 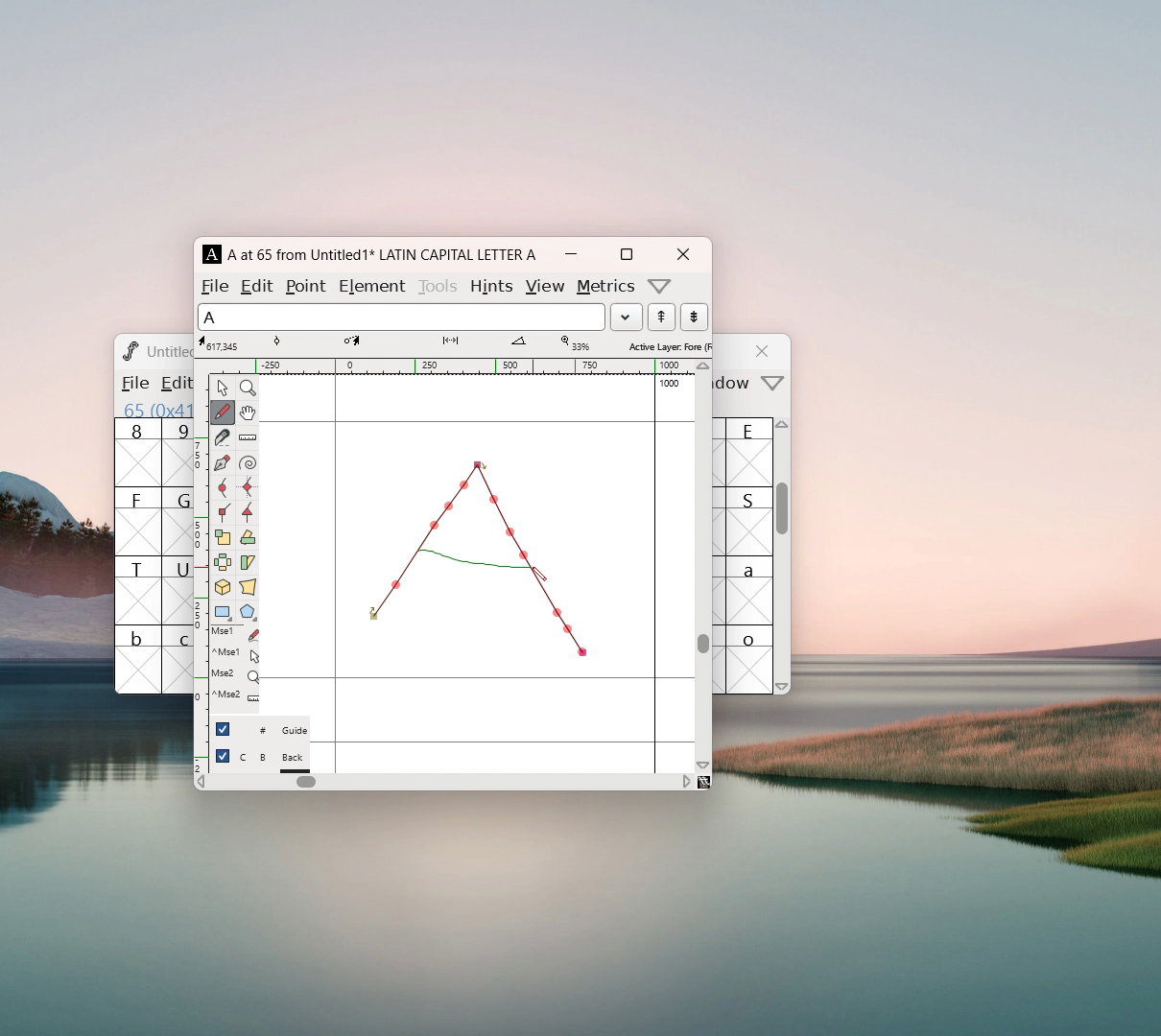 What do you see at coordinates (655, 573) in the screenshot?
I see `right side bearing` at bounding box center [655, 573].